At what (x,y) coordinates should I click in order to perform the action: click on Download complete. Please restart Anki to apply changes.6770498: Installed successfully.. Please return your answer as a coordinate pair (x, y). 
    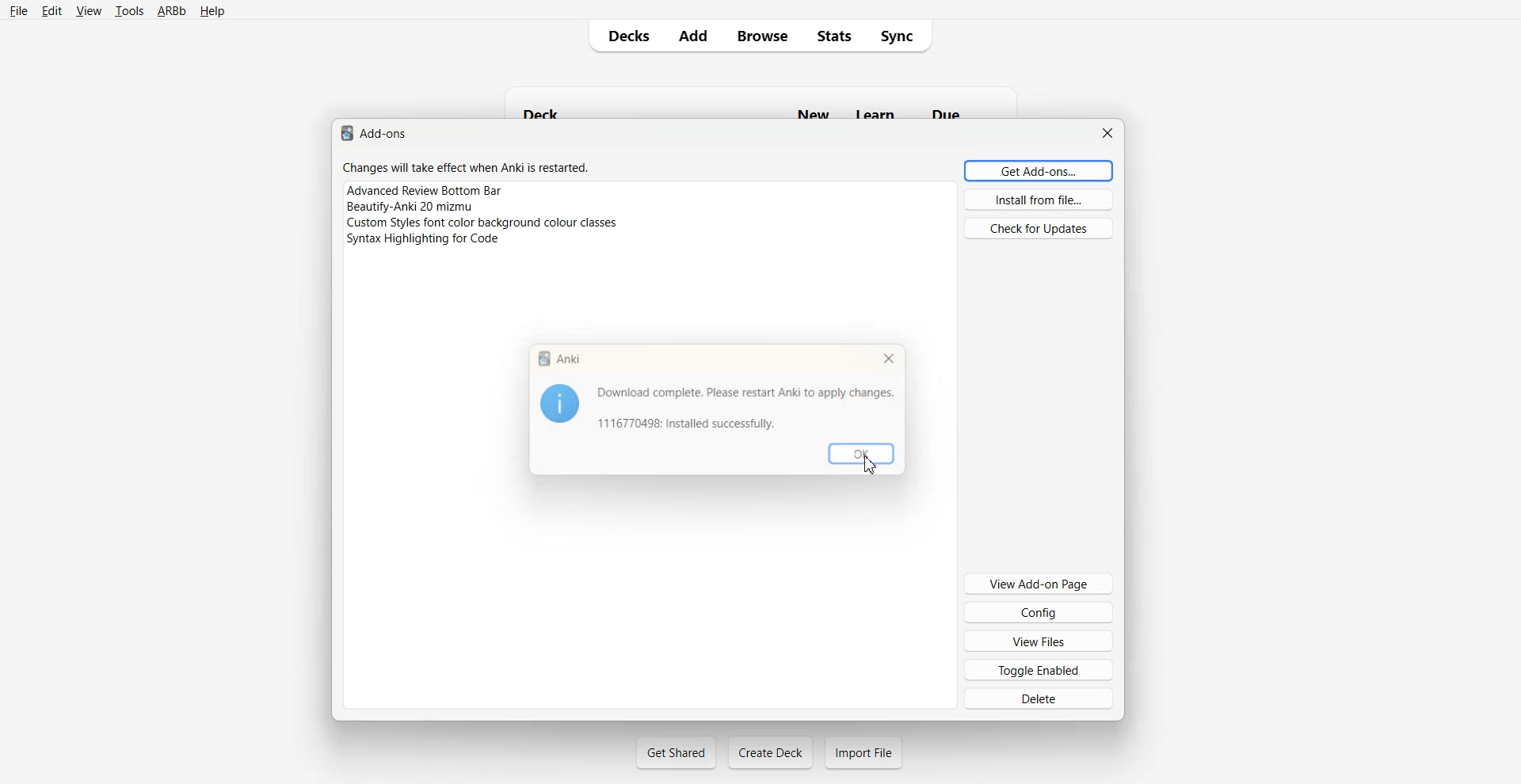
    Looking at the image, I should click on (745, 406).